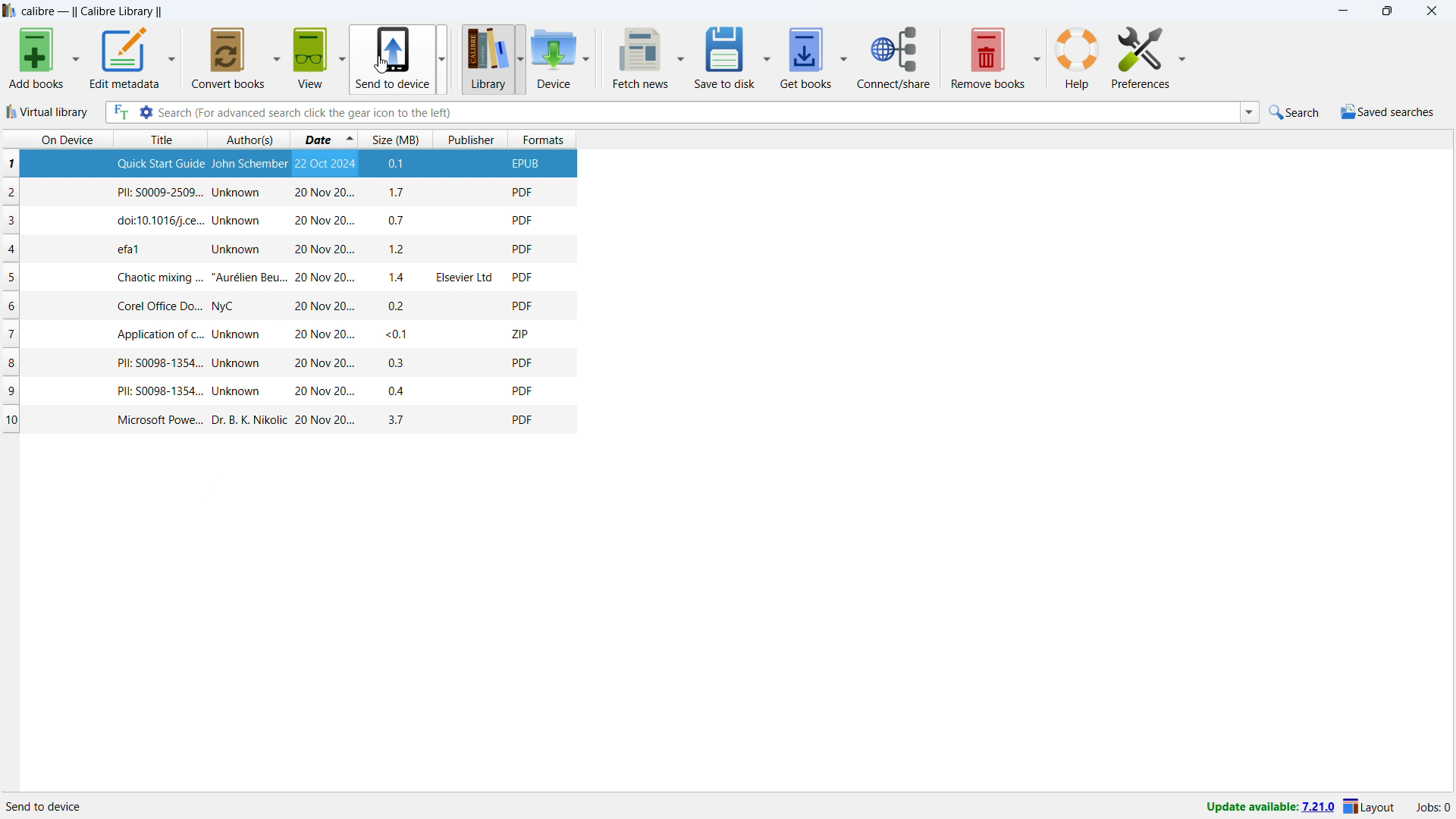 Image resolution: width=1456 pixels, height=819 pixels. What do you see at coordinates (487, 58) in the screenshot?
I see `library ` at bounding box center [487, 58].